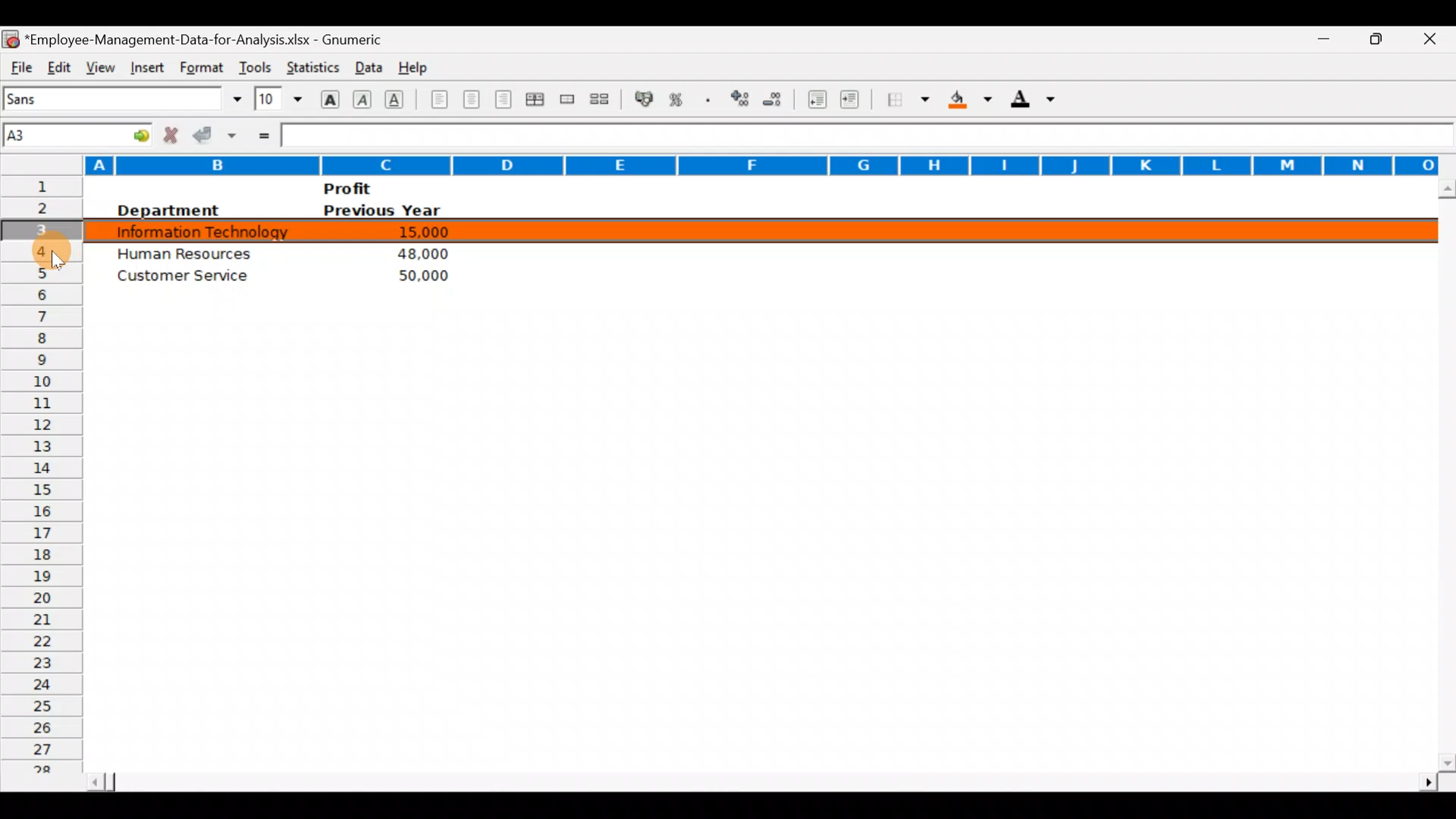  Describe the element at coordinates (97, 65) in the screenshot. I see `View` at that location.